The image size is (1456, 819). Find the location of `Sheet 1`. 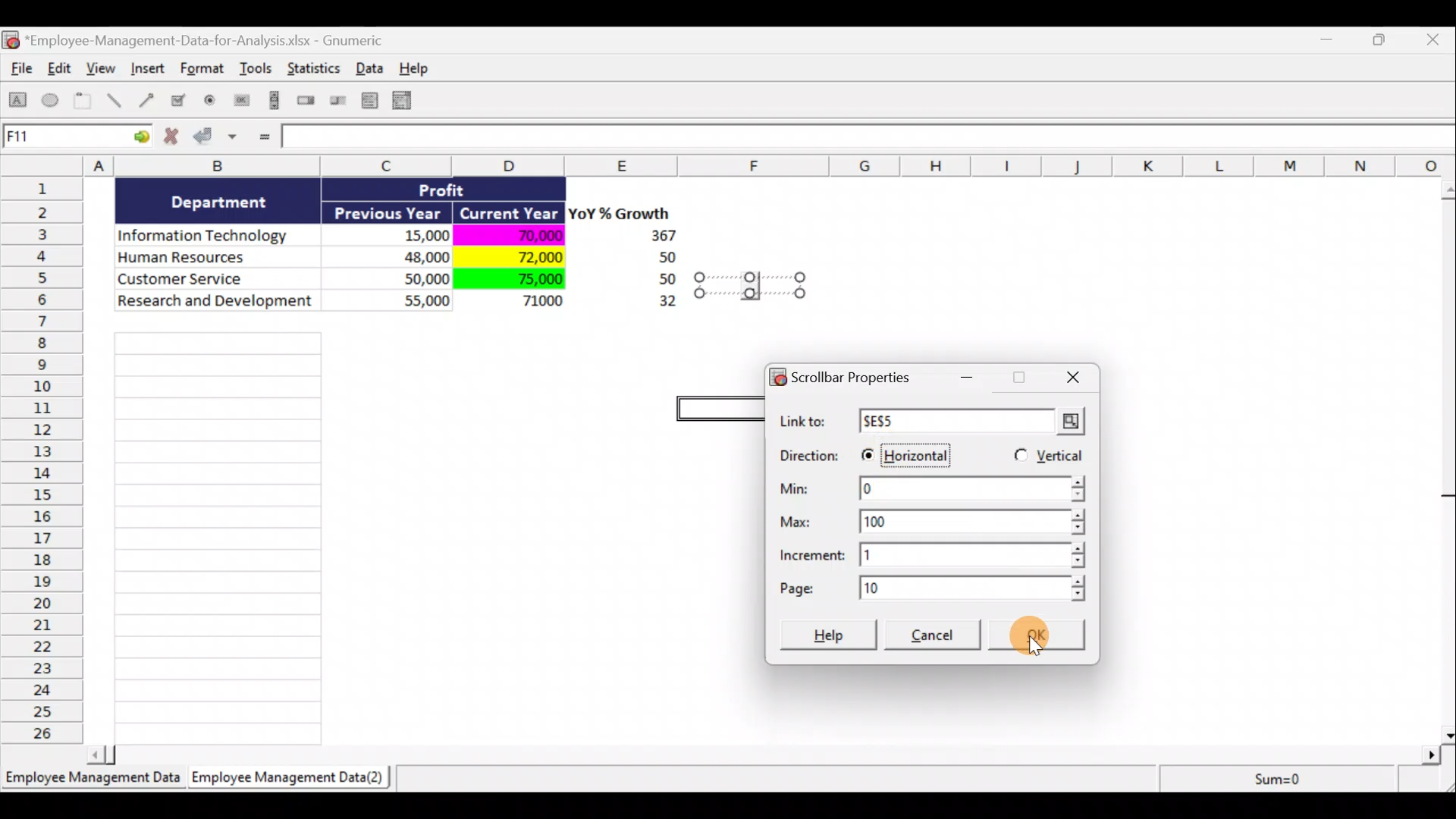

Sheet 1 is located at coordinates (95, 783).